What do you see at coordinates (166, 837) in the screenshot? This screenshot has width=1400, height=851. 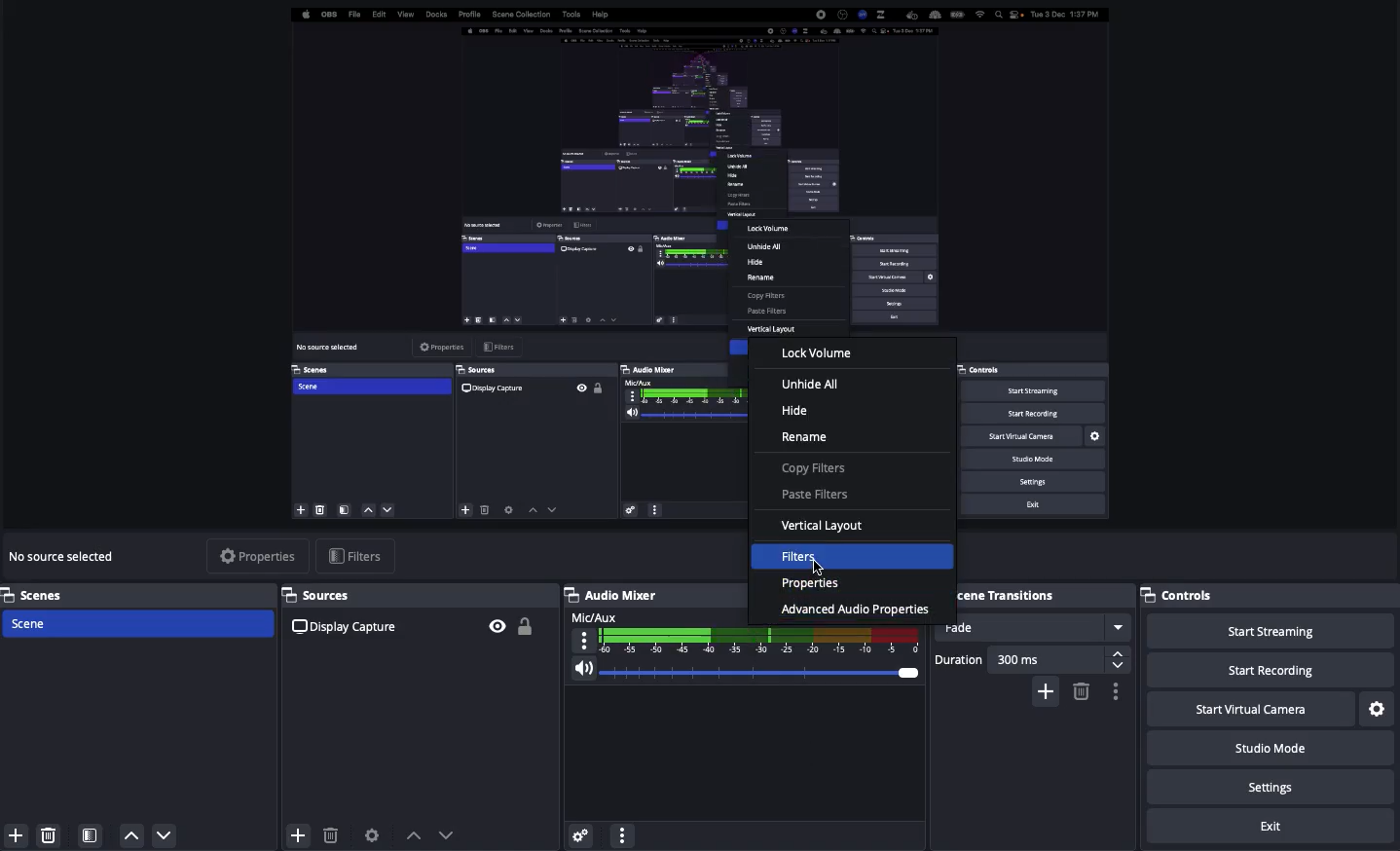 I see `Down` at bounding box center [166, 837].